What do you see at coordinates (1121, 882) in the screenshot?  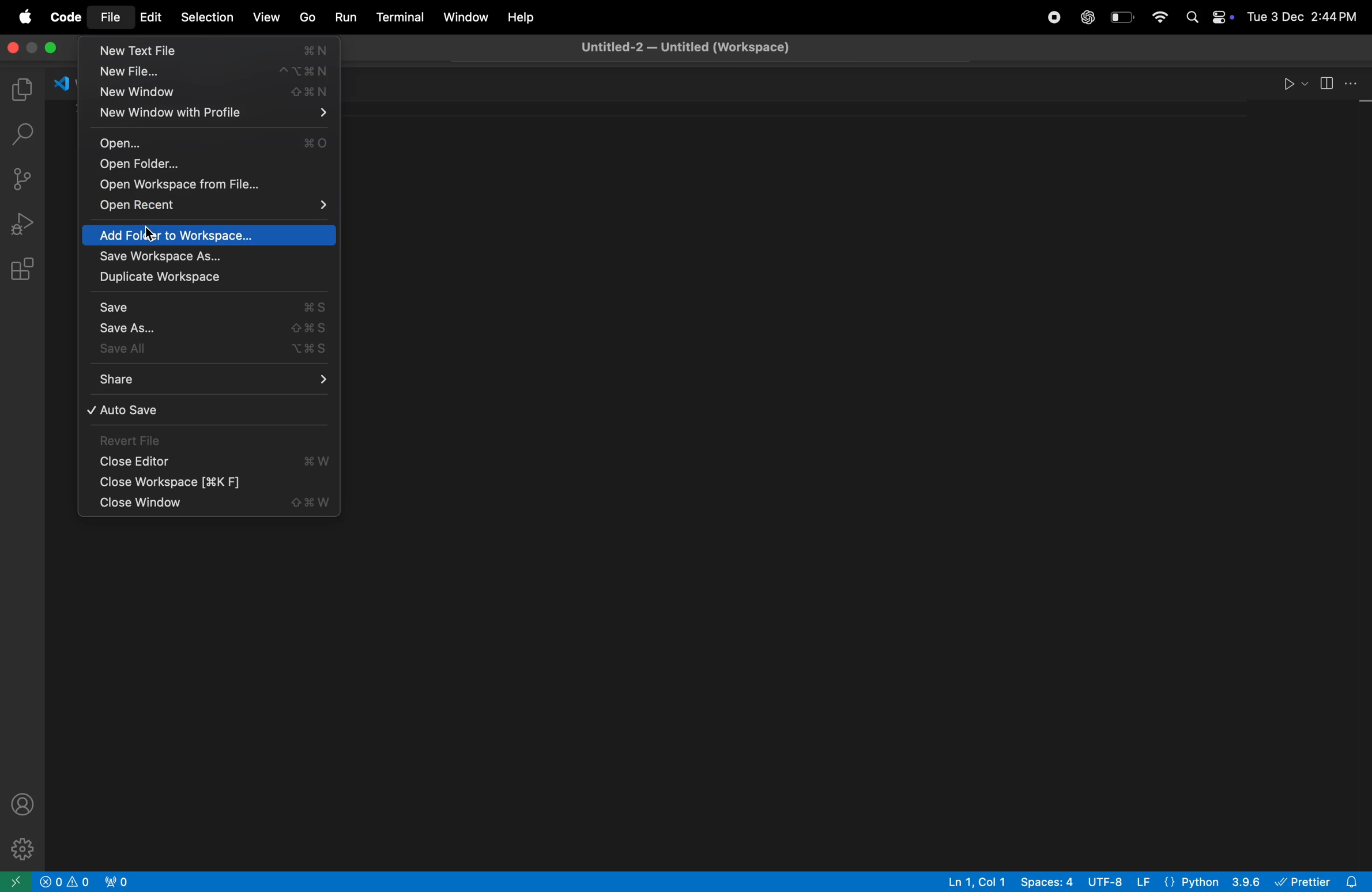 I see `utf 8` at bounding box center [1121, 882].